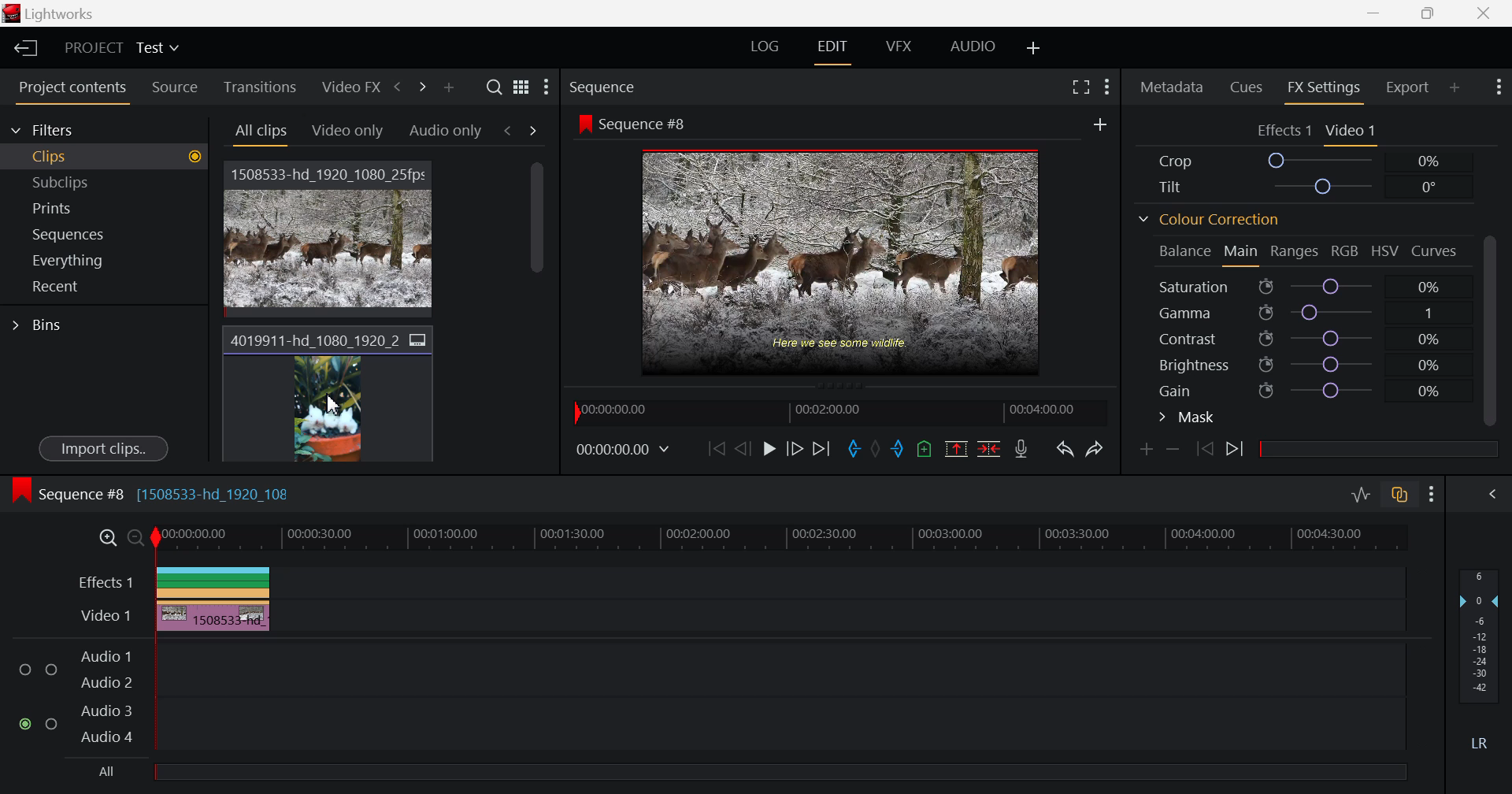 This screenshot has height=794, width=1512. What do you see at coordinates (833, 410) in the screenshot?
I see `Project Timeline Navigator` at bounding box center [833, 410].